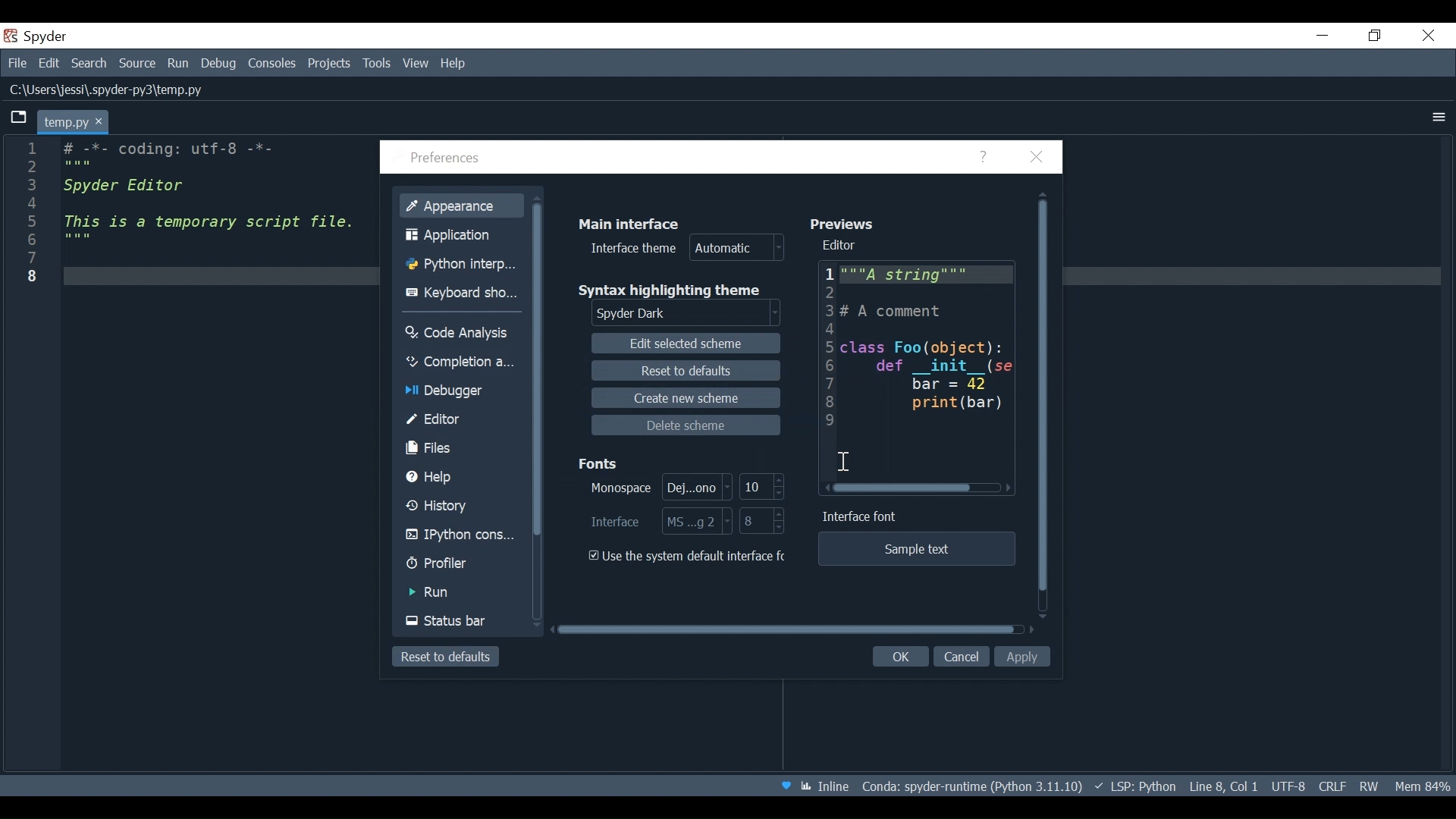  Describe the element at coordinates (1134, 786) in the screenshot. I see `Language` at that location.